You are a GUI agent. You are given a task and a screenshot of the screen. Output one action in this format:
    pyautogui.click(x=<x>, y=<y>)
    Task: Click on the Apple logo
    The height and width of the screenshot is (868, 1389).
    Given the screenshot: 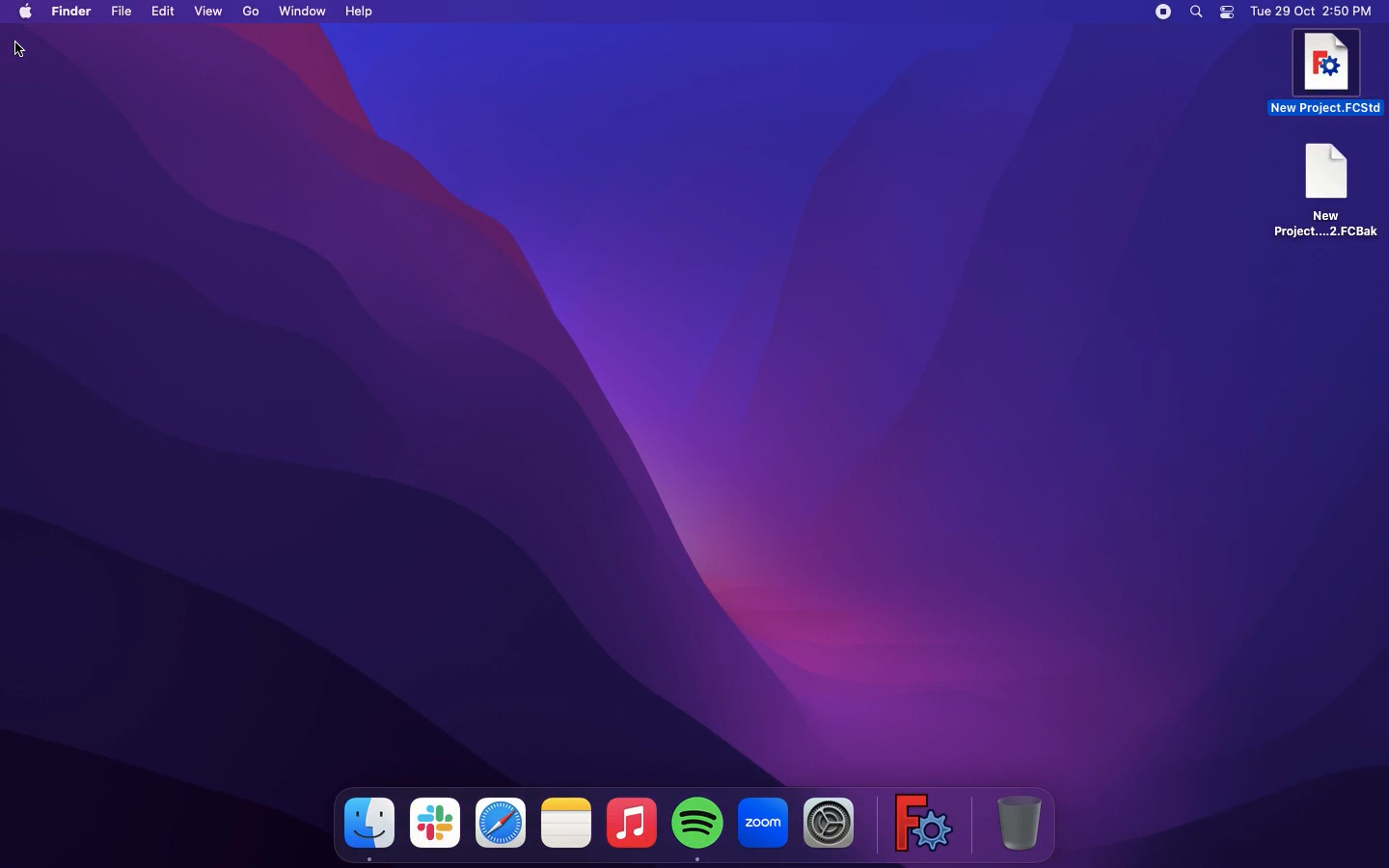 What is the action you would take?
    pyautogui.click(x=24, y=12)
    